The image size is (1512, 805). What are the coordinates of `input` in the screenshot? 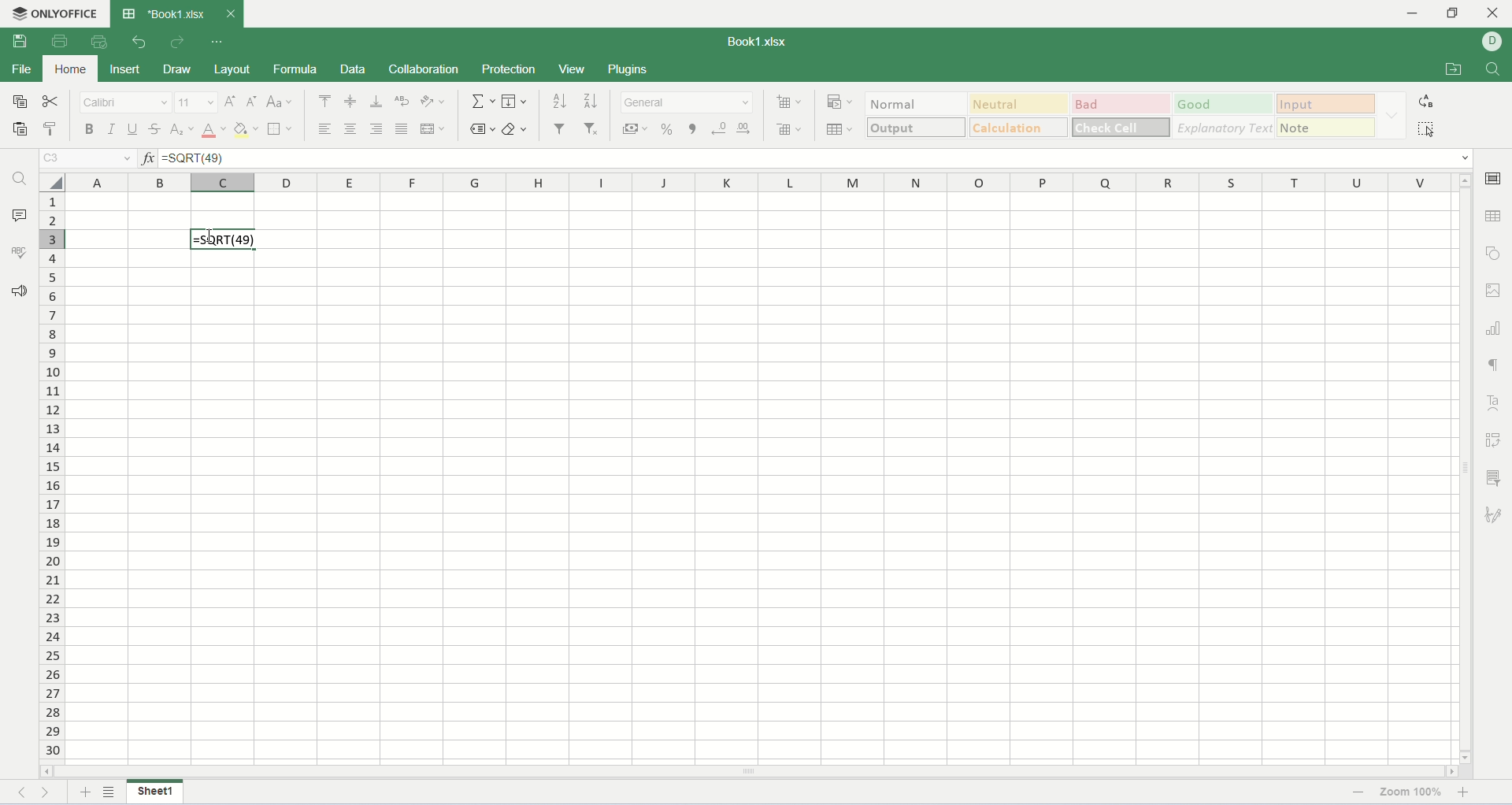 It's located at (1326, 103).